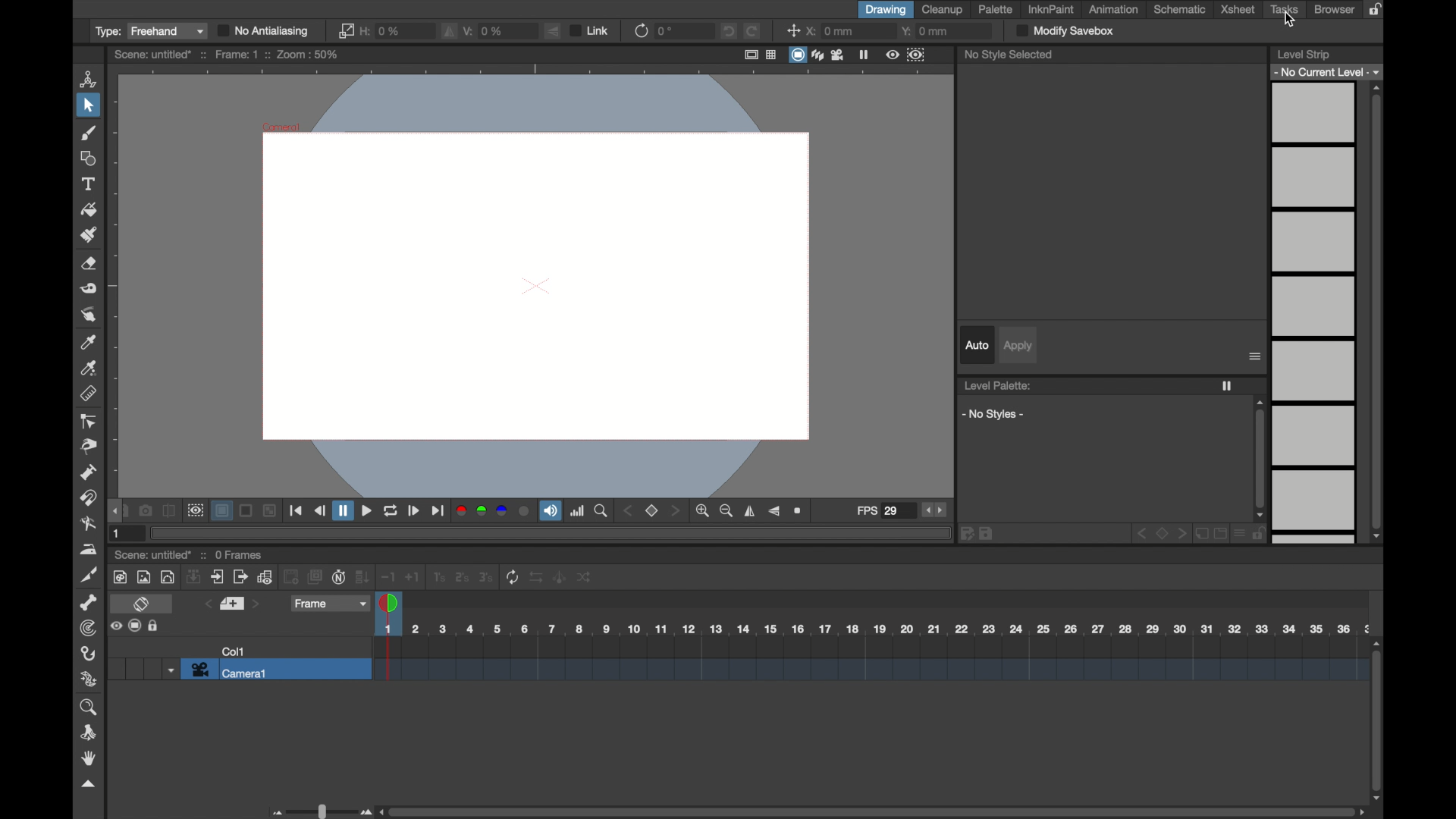  I want to click on no style selected, so click(1011, 57).